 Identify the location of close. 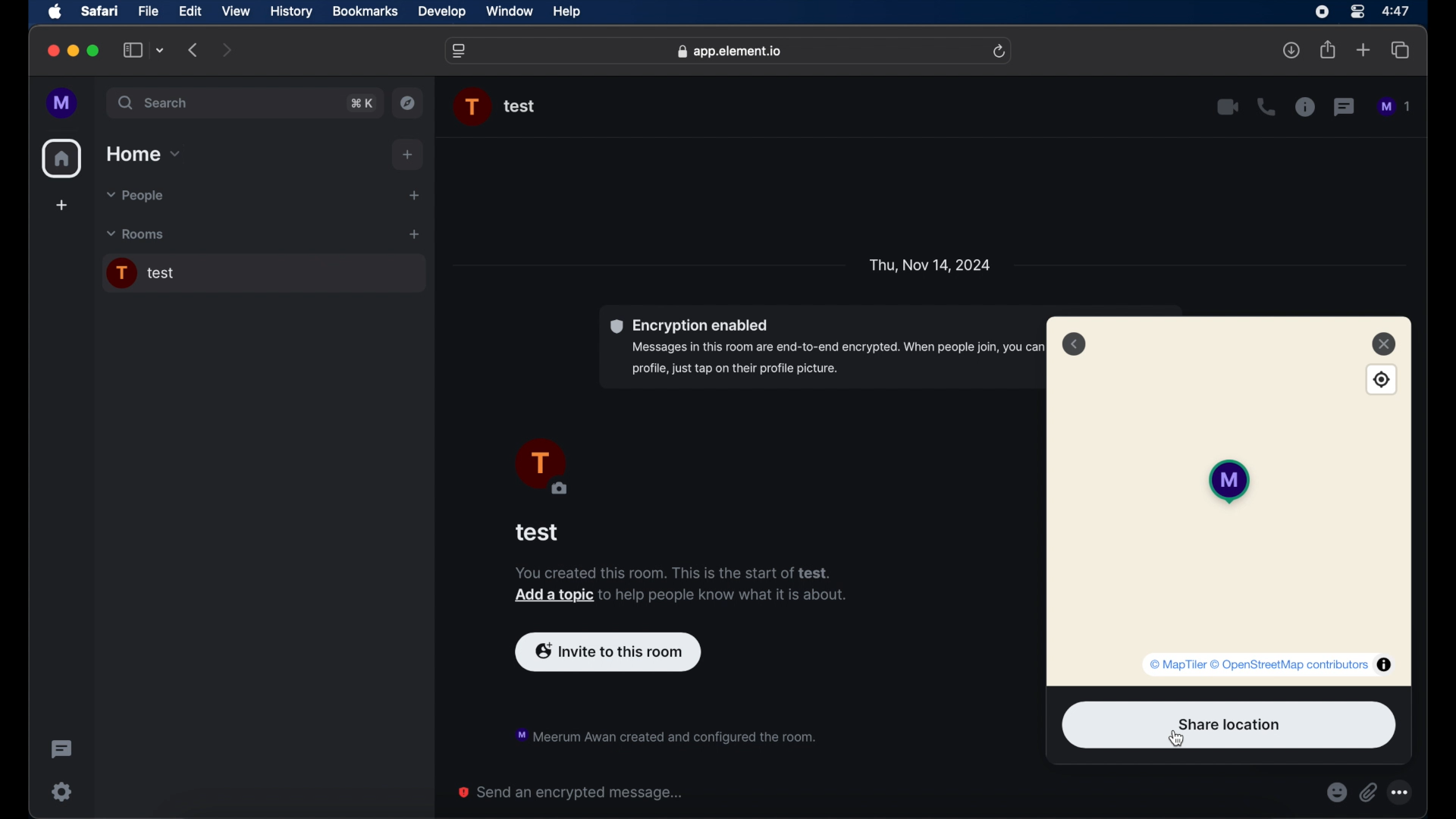
(52, 51).